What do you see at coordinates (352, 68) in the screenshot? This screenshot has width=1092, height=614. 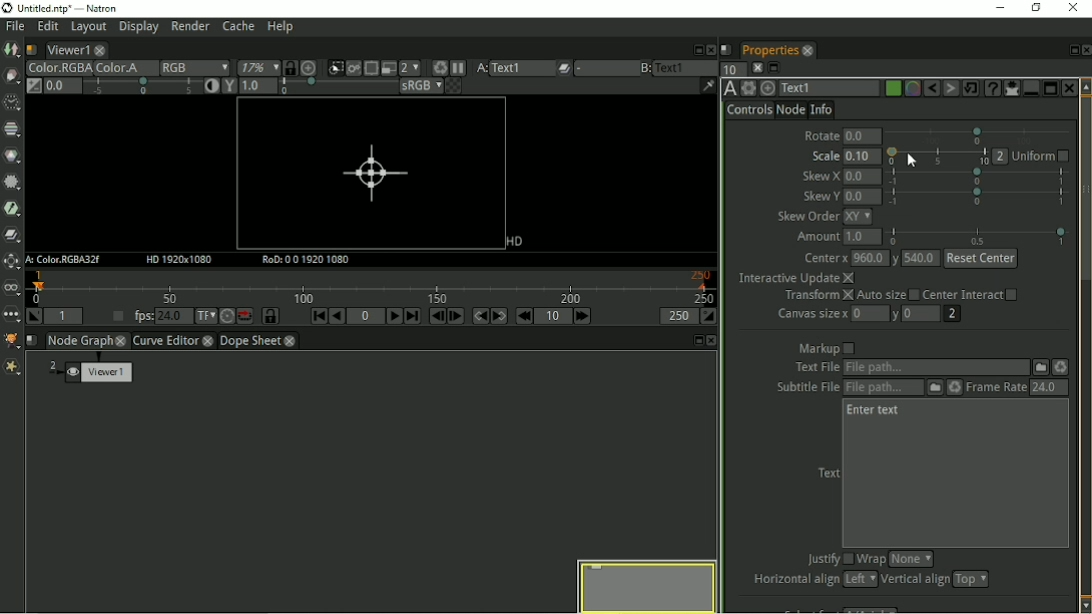 I see `Viewer will render image` at bounding box center [352, 68].